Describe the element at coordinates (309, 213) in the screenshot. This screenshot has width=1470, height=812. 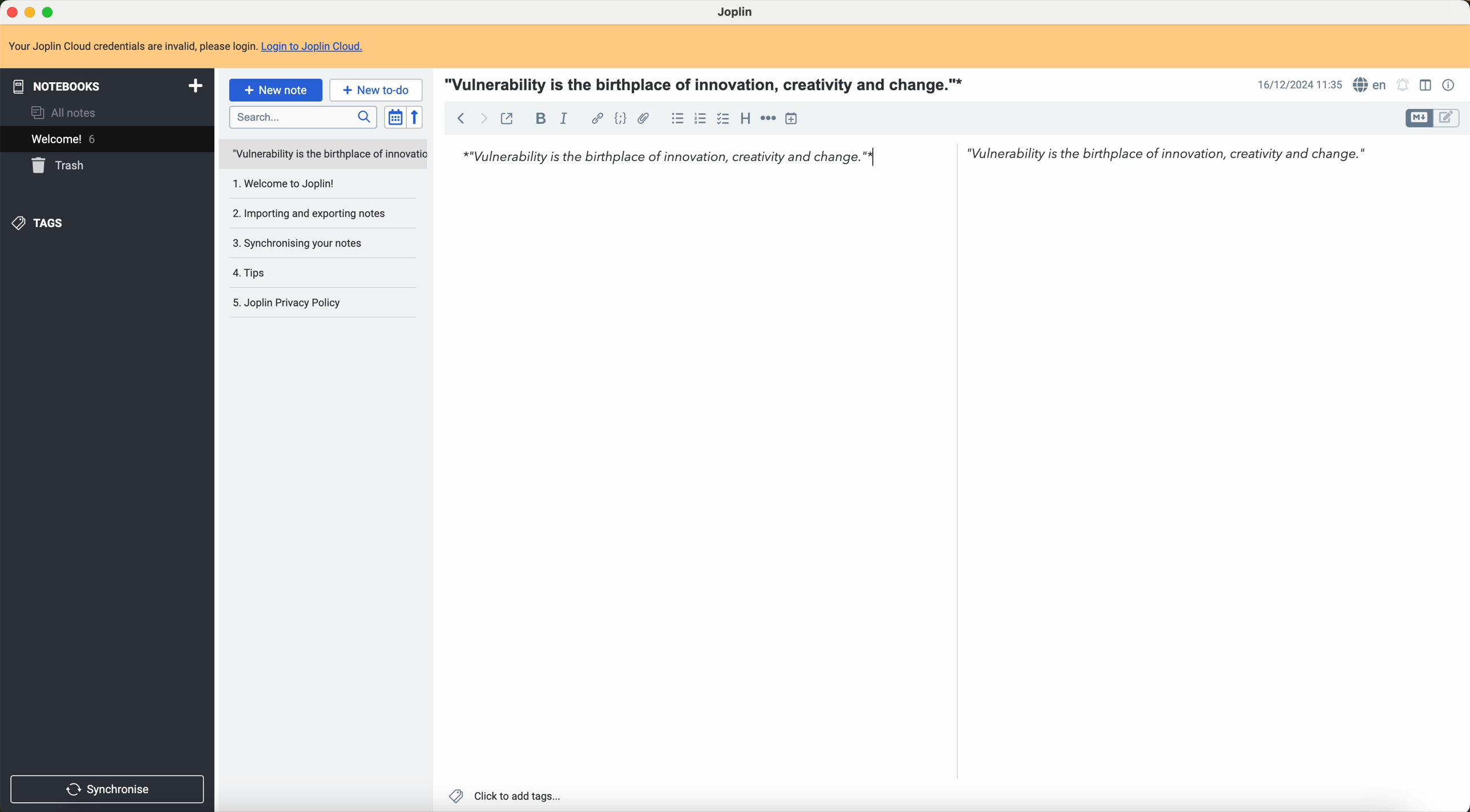
I see `2.importing and exporting notes` at that location.